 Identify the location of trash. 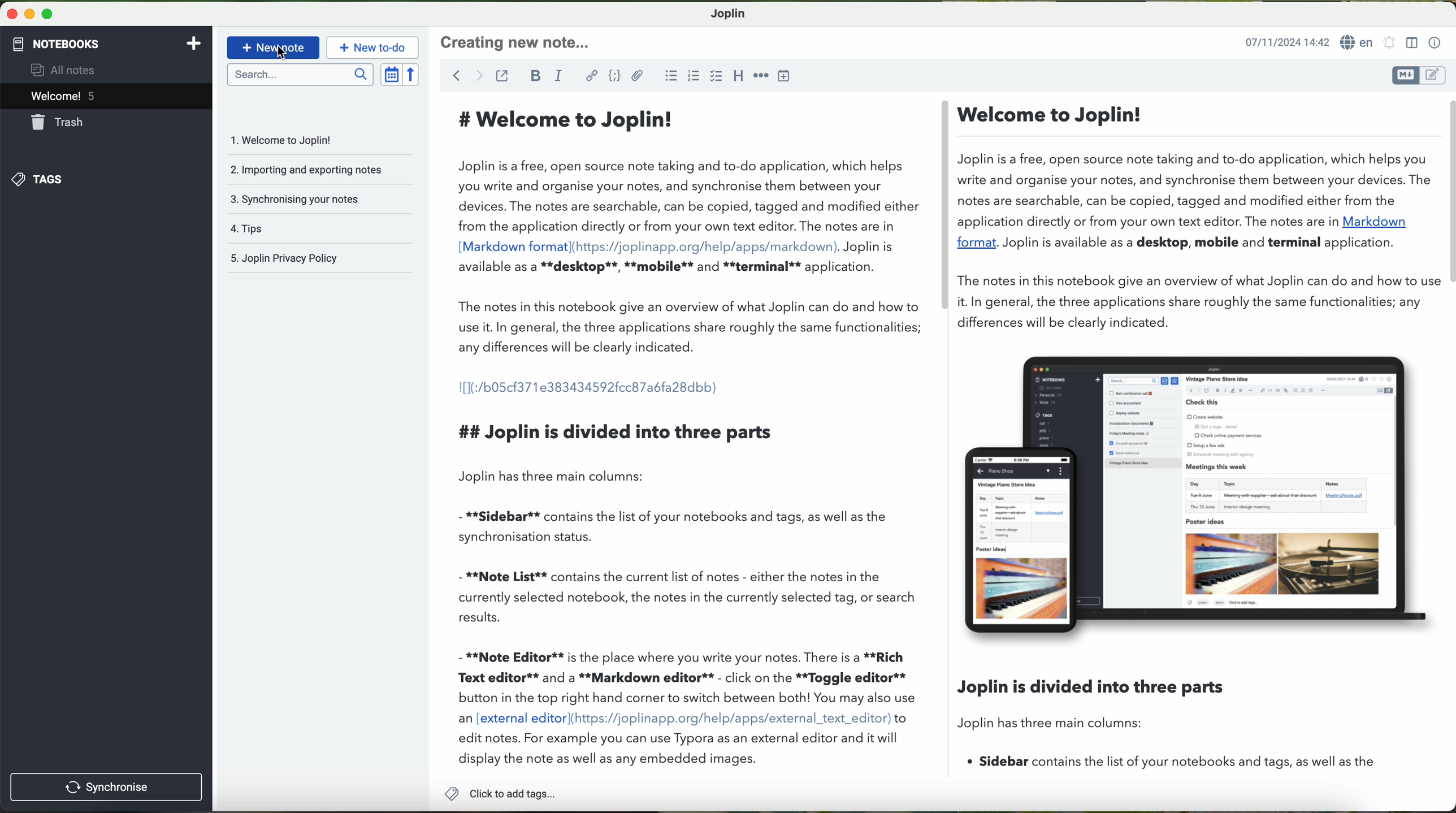
(107, 123).